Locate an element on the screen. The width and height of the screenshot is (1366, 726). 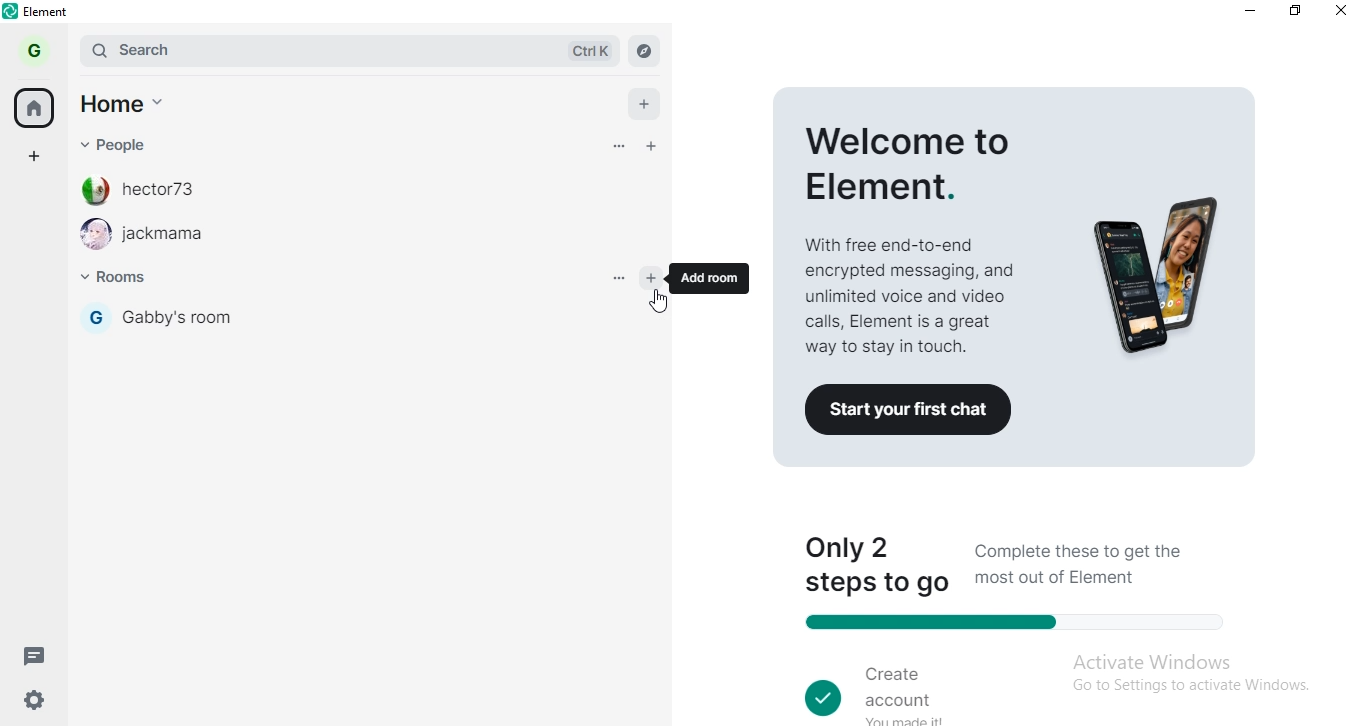
room is located at coordinates (170, 236).